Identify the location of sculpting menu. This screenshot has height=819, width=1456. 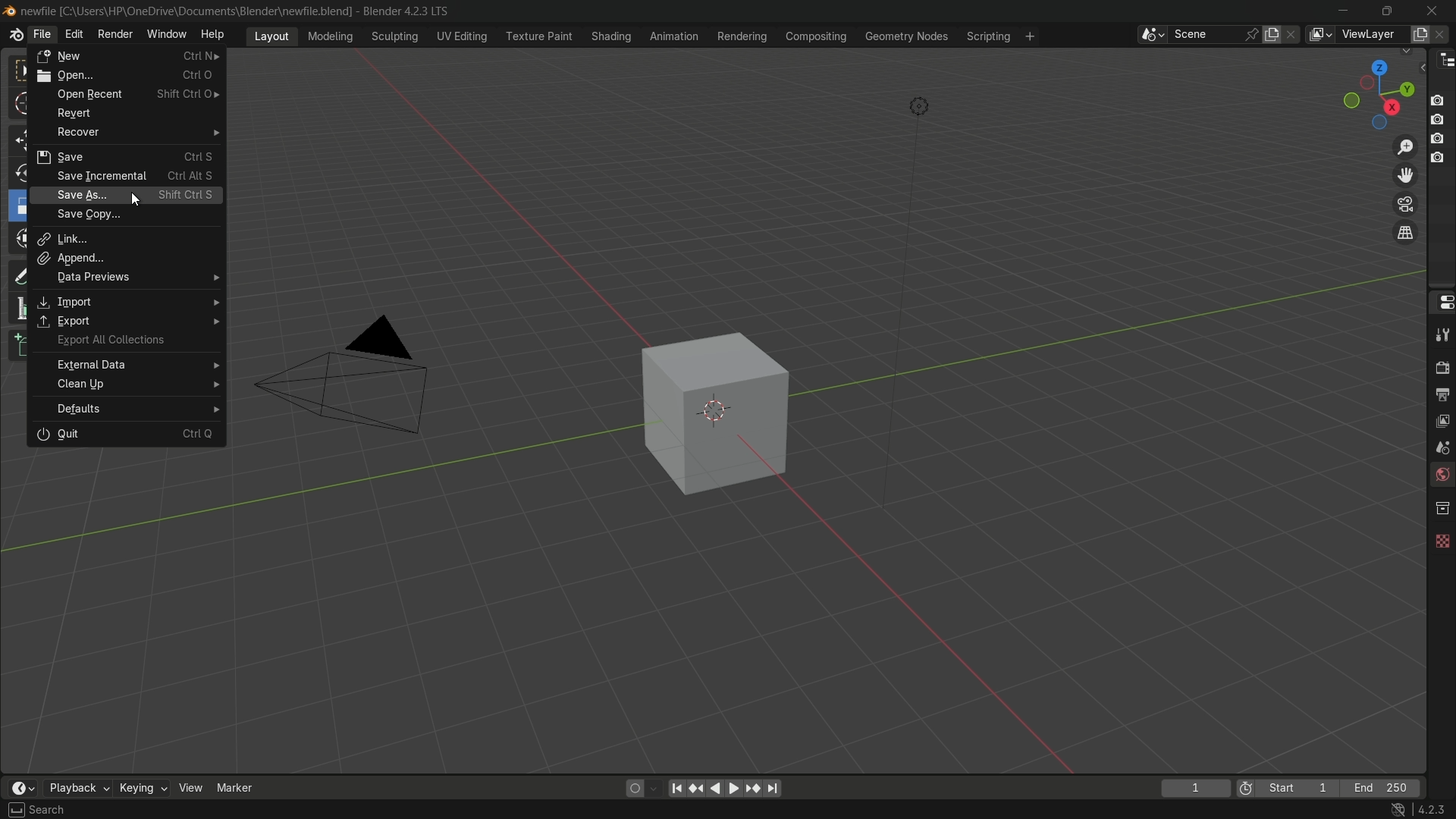
(391, 36).